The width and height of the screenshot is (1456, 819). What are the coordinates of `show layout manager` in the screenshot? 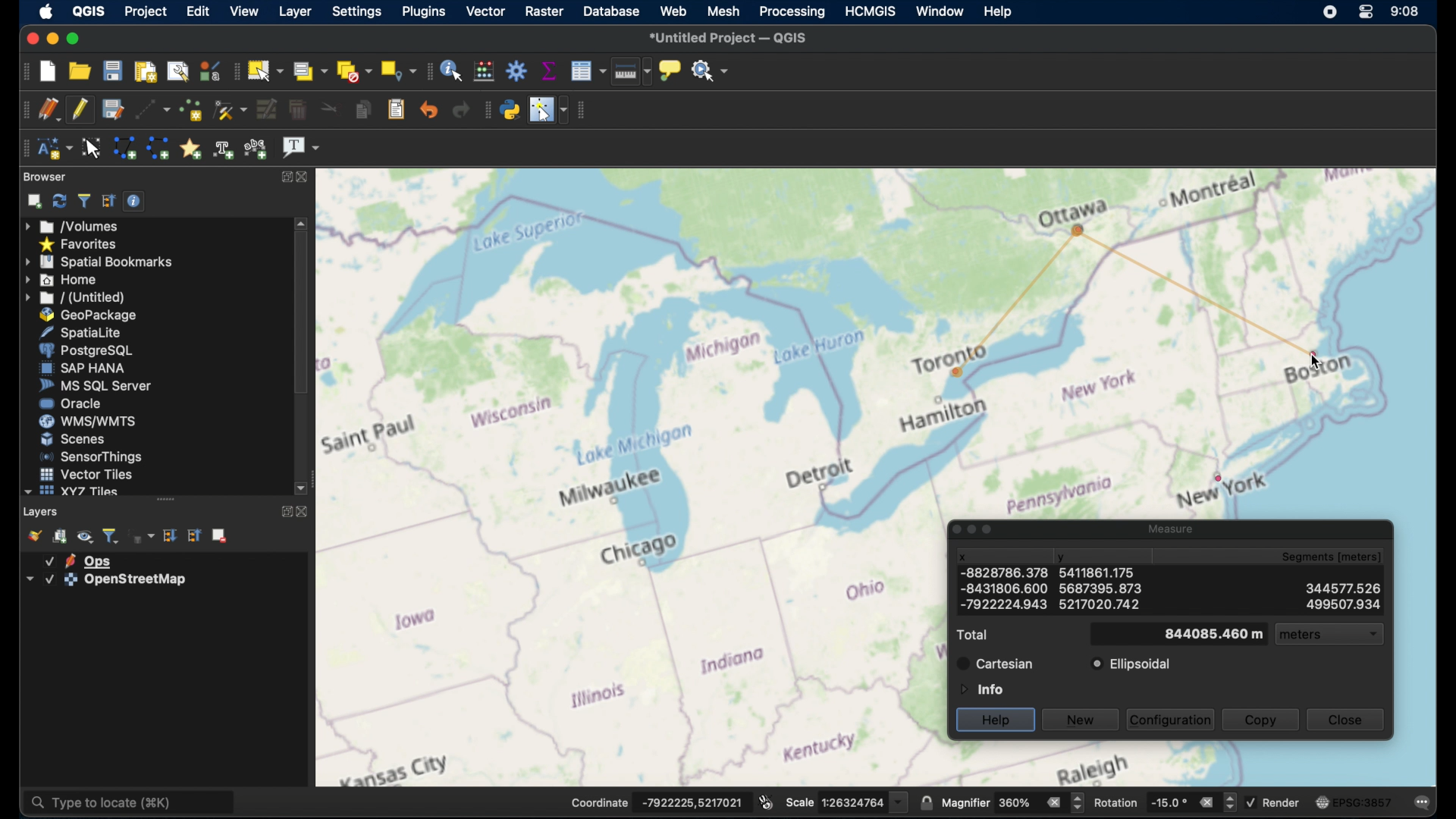 It's located at (177, 69).